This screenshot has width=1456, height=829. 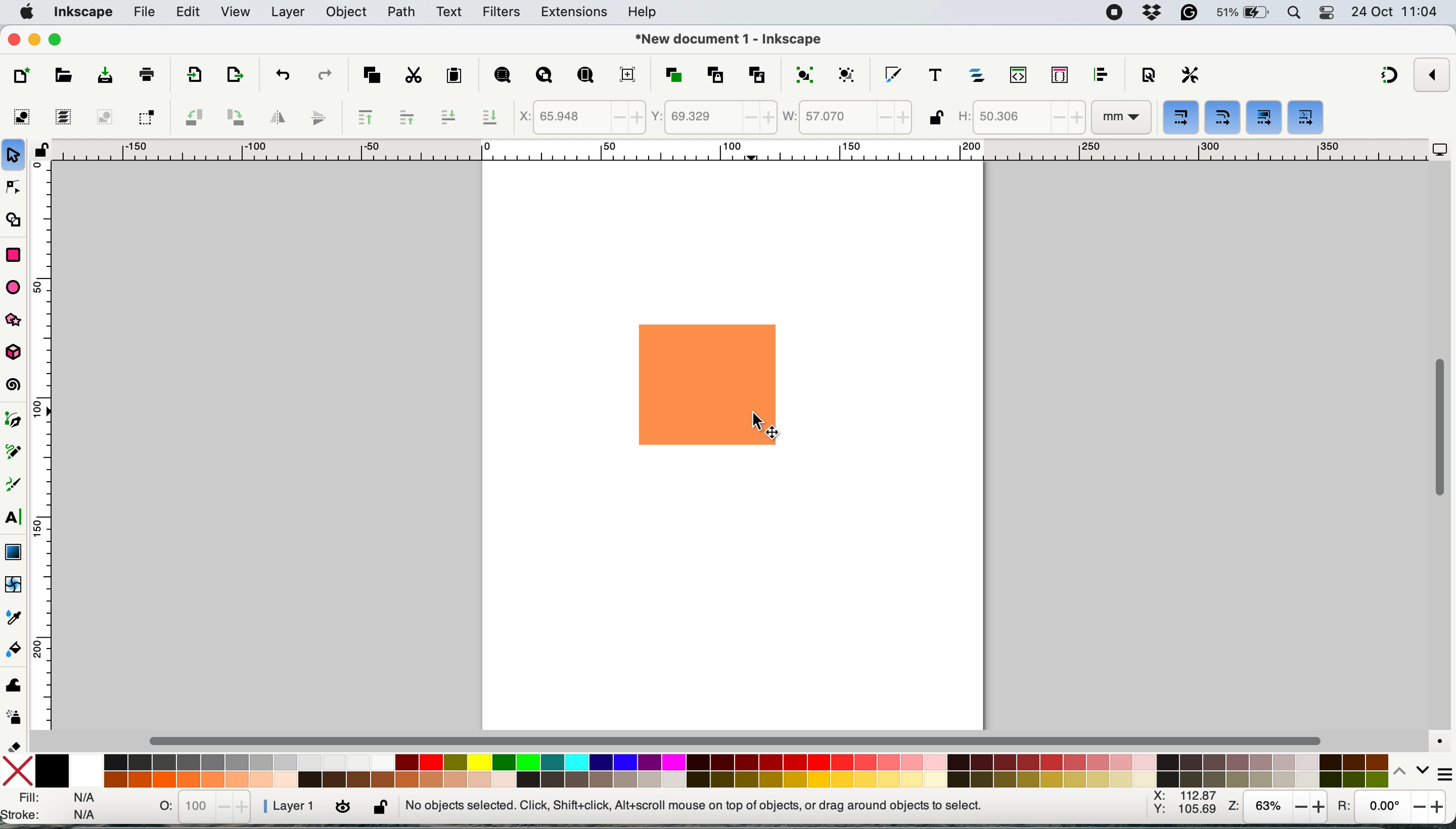 What do you see at coordinates (15, 386) in the screenshot?
I see `spiral tool` at bounding box center [15, 386].